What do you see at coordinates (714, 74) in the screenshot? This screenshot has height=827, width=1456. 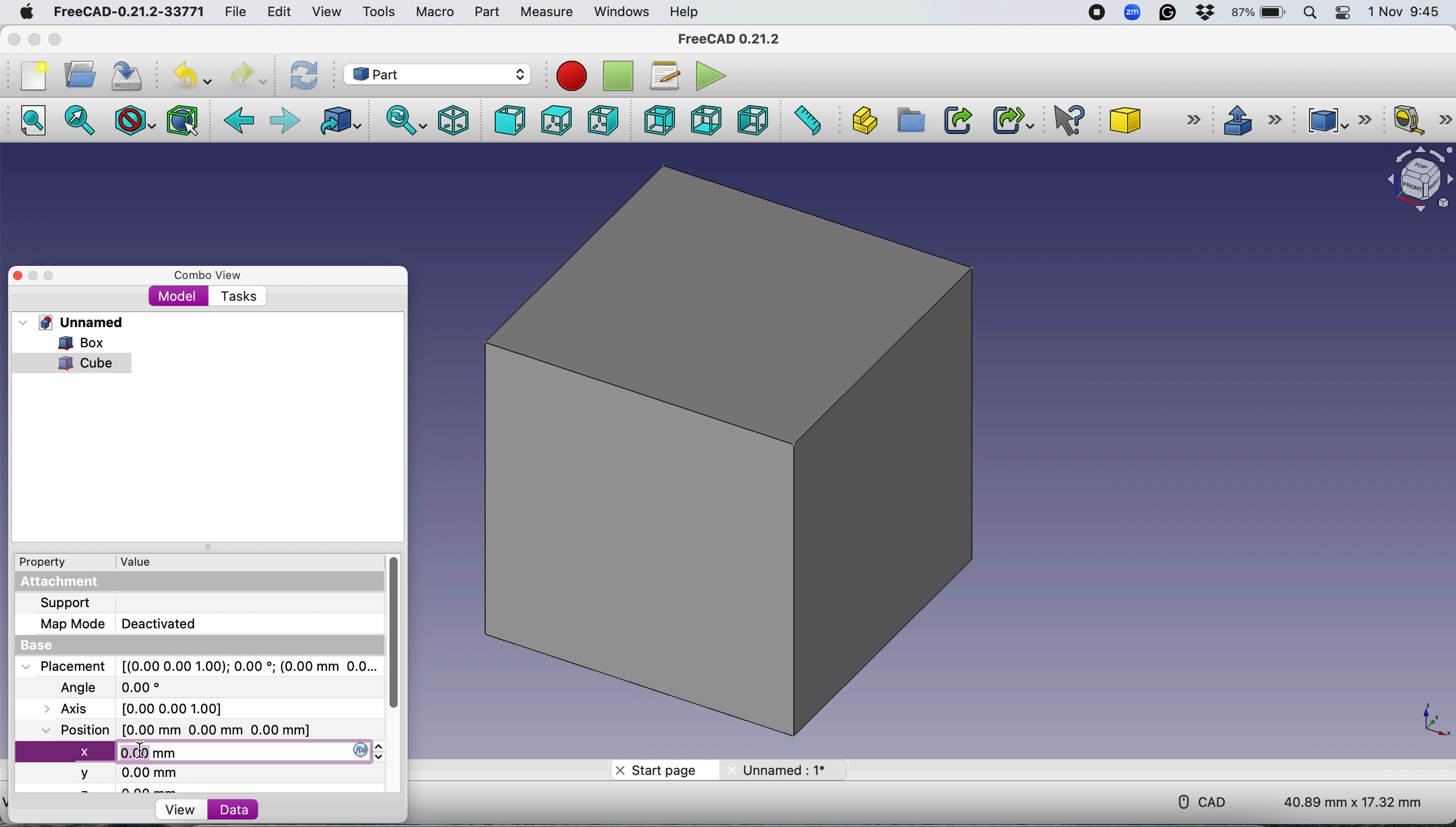 I see `Execute macros` at bounding box center [714, 74].